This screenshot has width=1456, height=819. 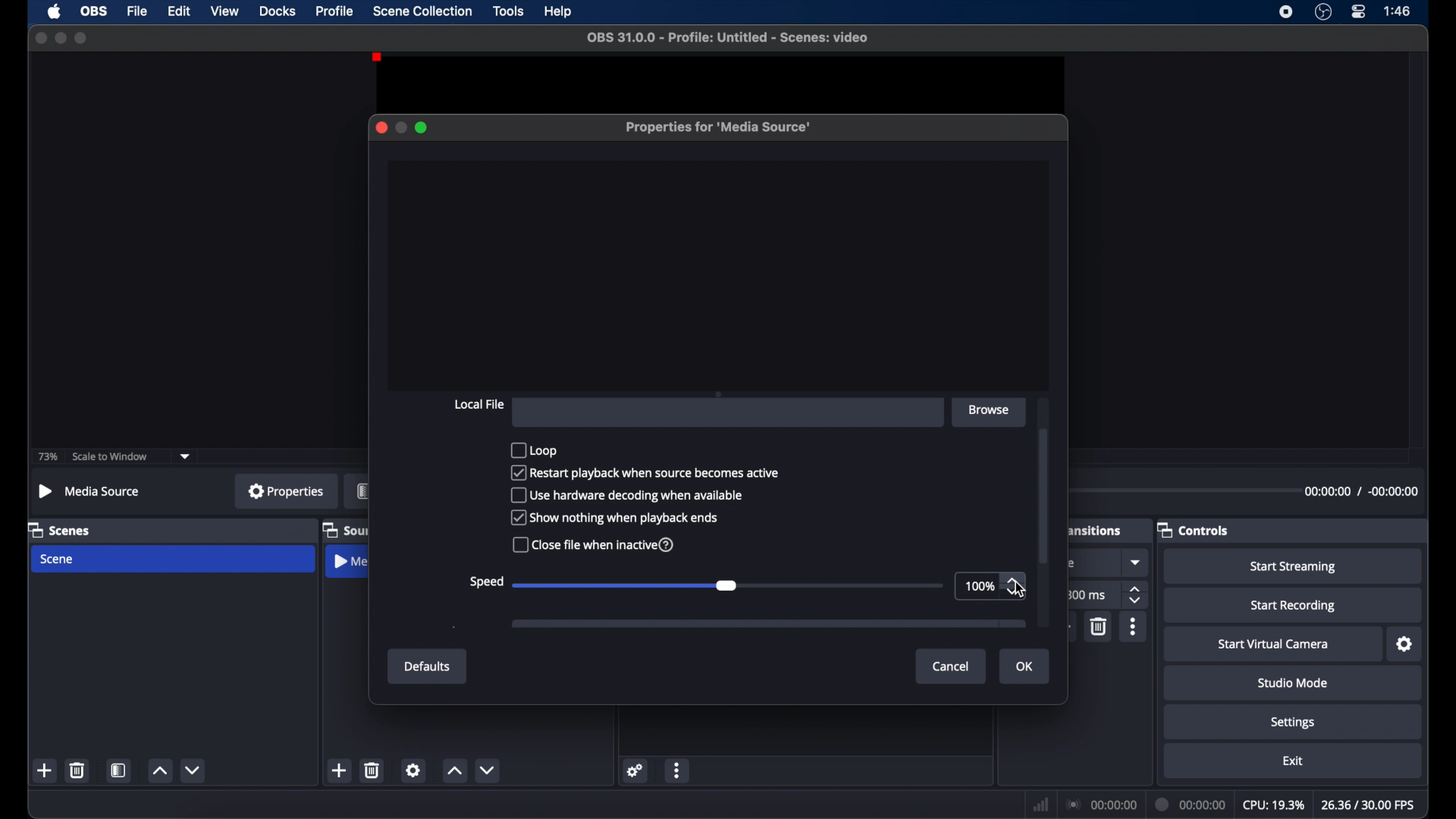 I want to click on obscure label, so click(x=1096, y=529).